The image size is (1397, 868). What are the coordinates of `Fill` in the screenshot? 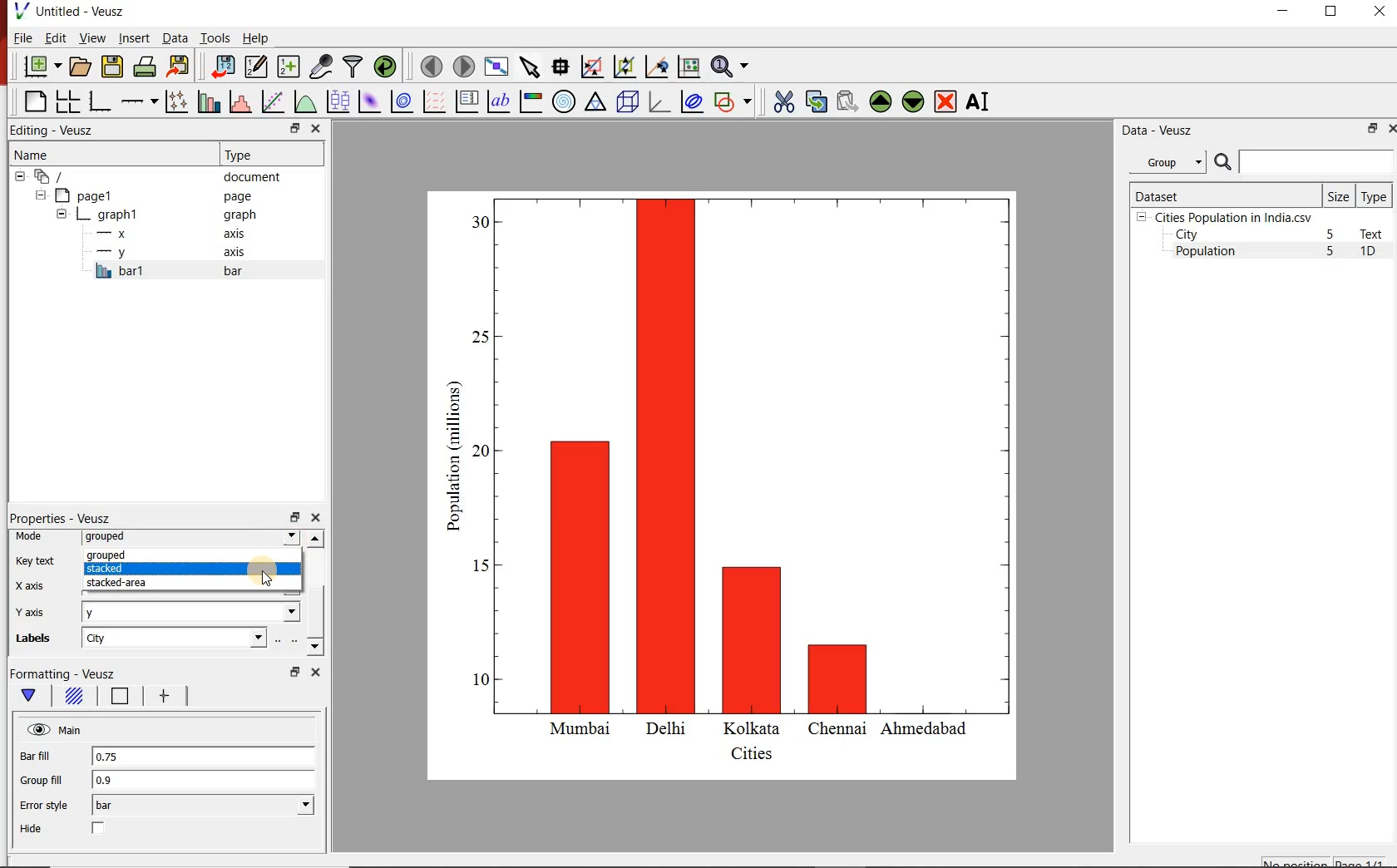 It's located at (73, 698).